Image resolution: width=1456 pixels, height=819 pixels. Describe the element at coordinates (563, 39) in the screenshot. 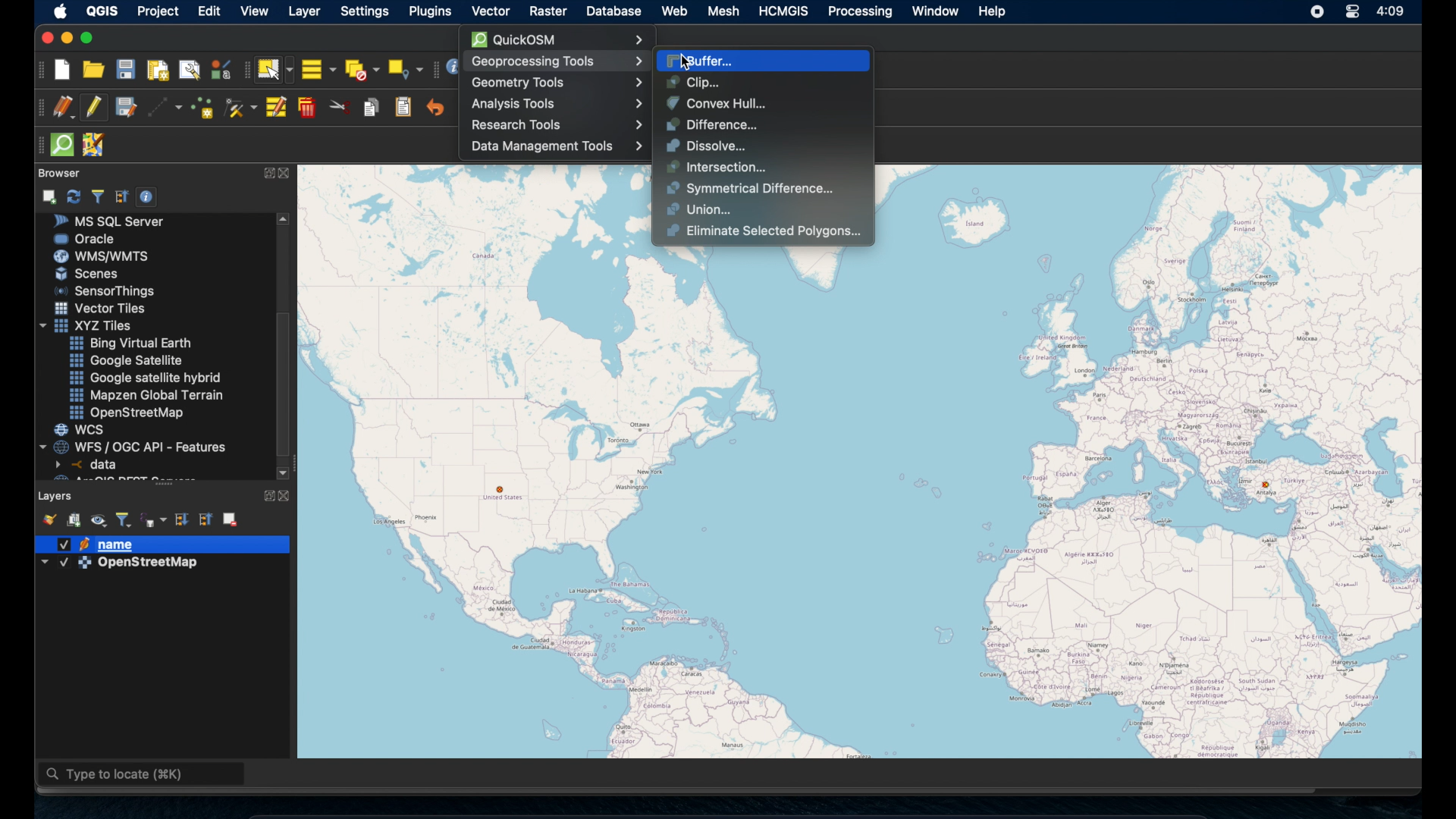

I see `QuickOSM` at that location.